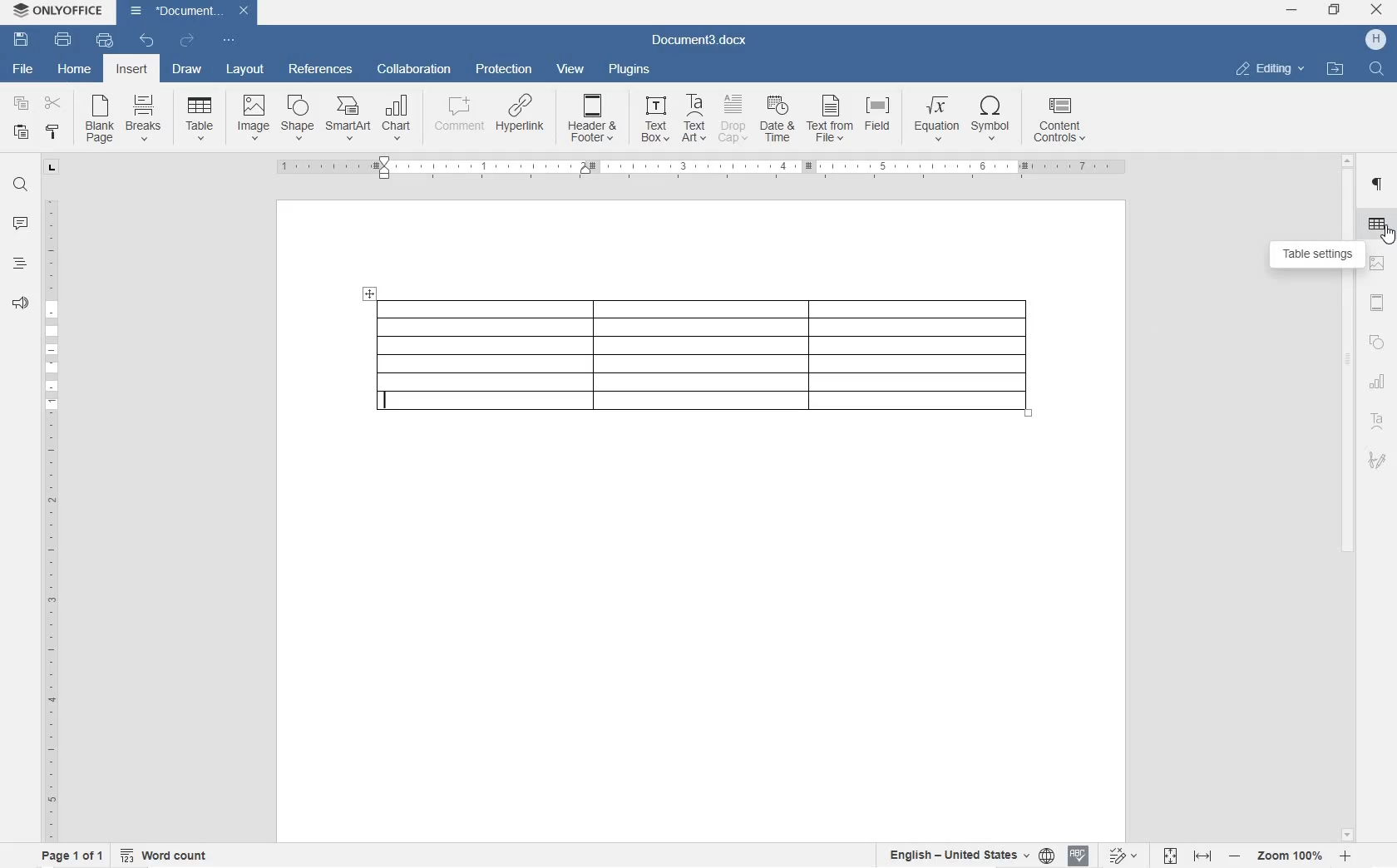  What do you see at coordinates (186, 40) in the screenshot?
I see `REDO` at bounding box center [186, 40].